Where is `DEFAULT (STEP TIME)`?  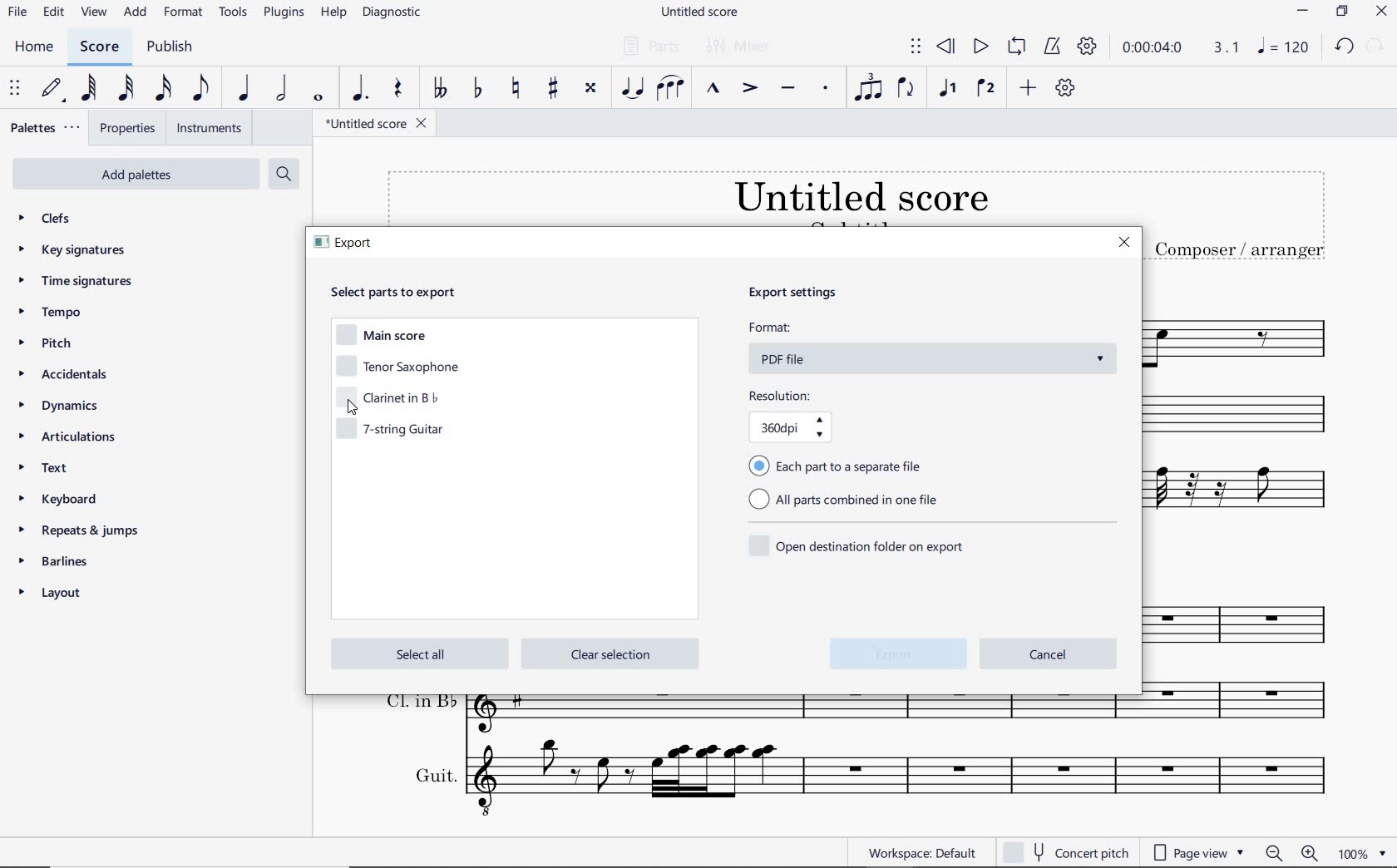 DEFAULT (STEP TIME) is located at coordinates (51, 89).